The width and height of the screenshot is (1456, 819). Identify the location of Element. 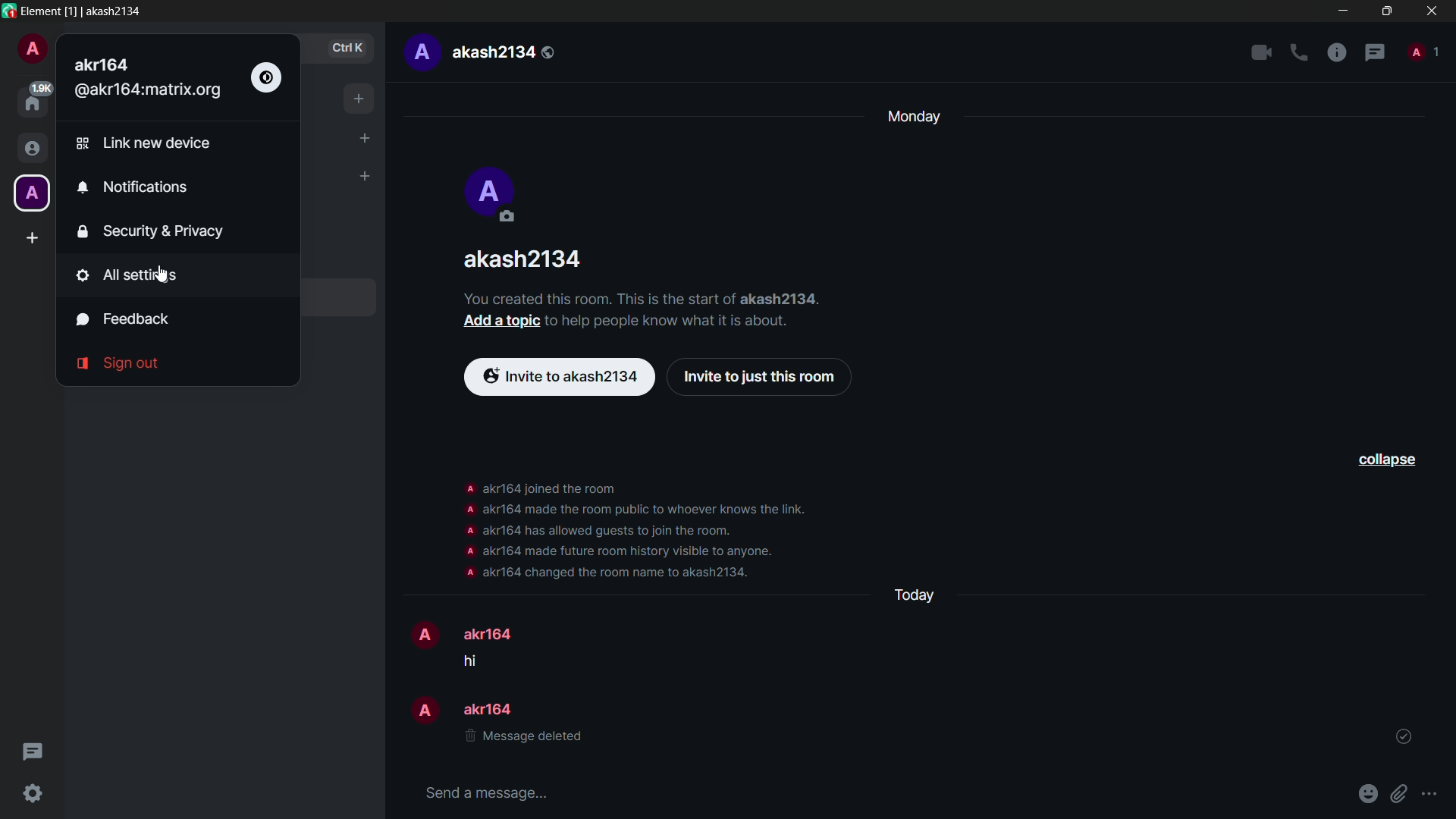
(41, 10).